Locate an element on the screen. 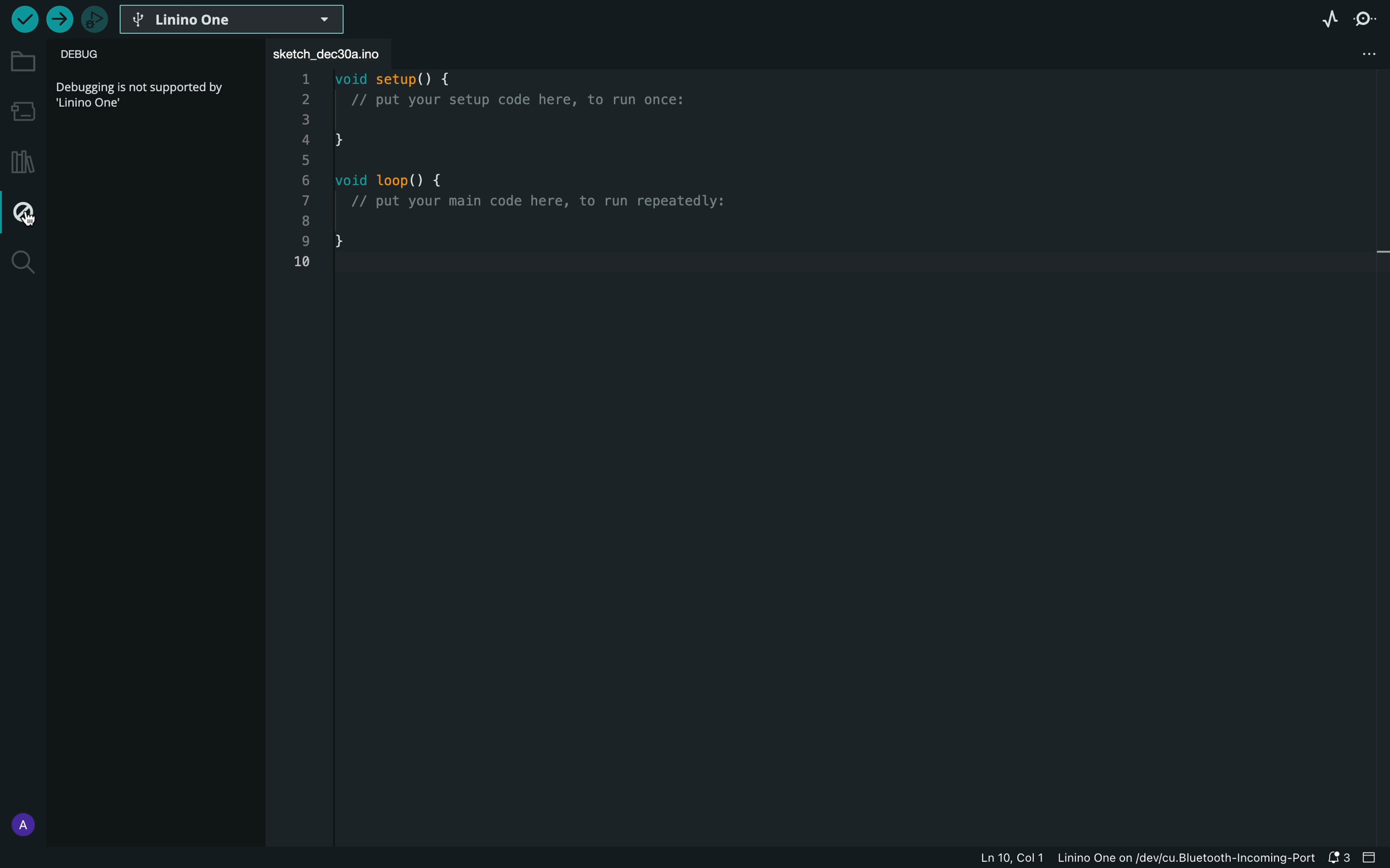 Image resolution: width=1390 pixels, height=868 pixels. file information is located at coordinates (1142, 859).